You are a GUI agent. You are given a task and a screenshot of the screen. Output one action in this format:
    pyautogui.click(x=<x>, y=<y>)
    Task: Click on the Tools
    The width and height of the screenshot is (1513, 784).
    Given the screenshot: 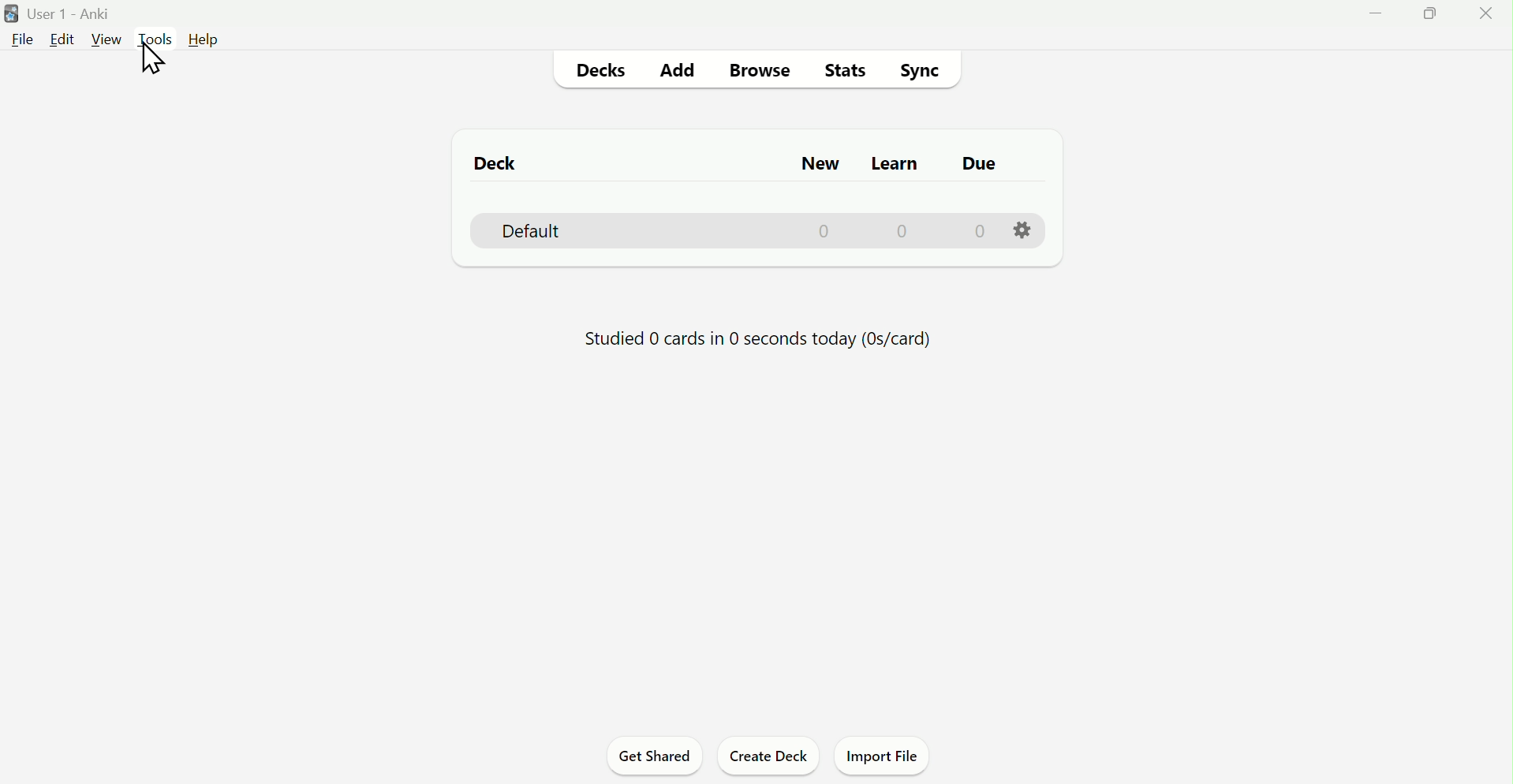 What is the action you would take?
    pyautogui.click(x=158, y=38)
    